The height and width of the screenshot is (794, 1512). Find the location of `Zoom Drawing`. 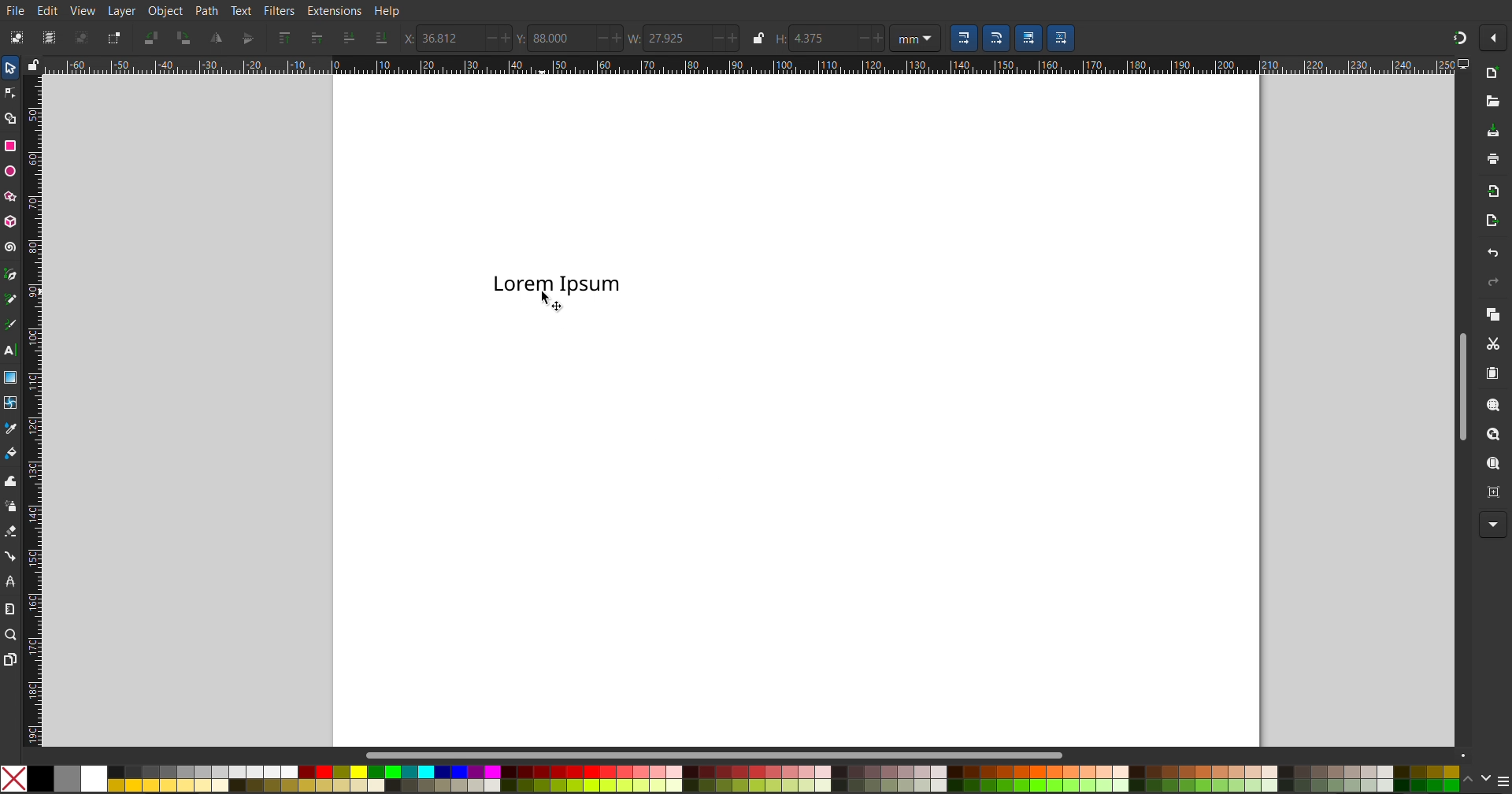

Zoom Drawing is located at coordinates (1489, 435).